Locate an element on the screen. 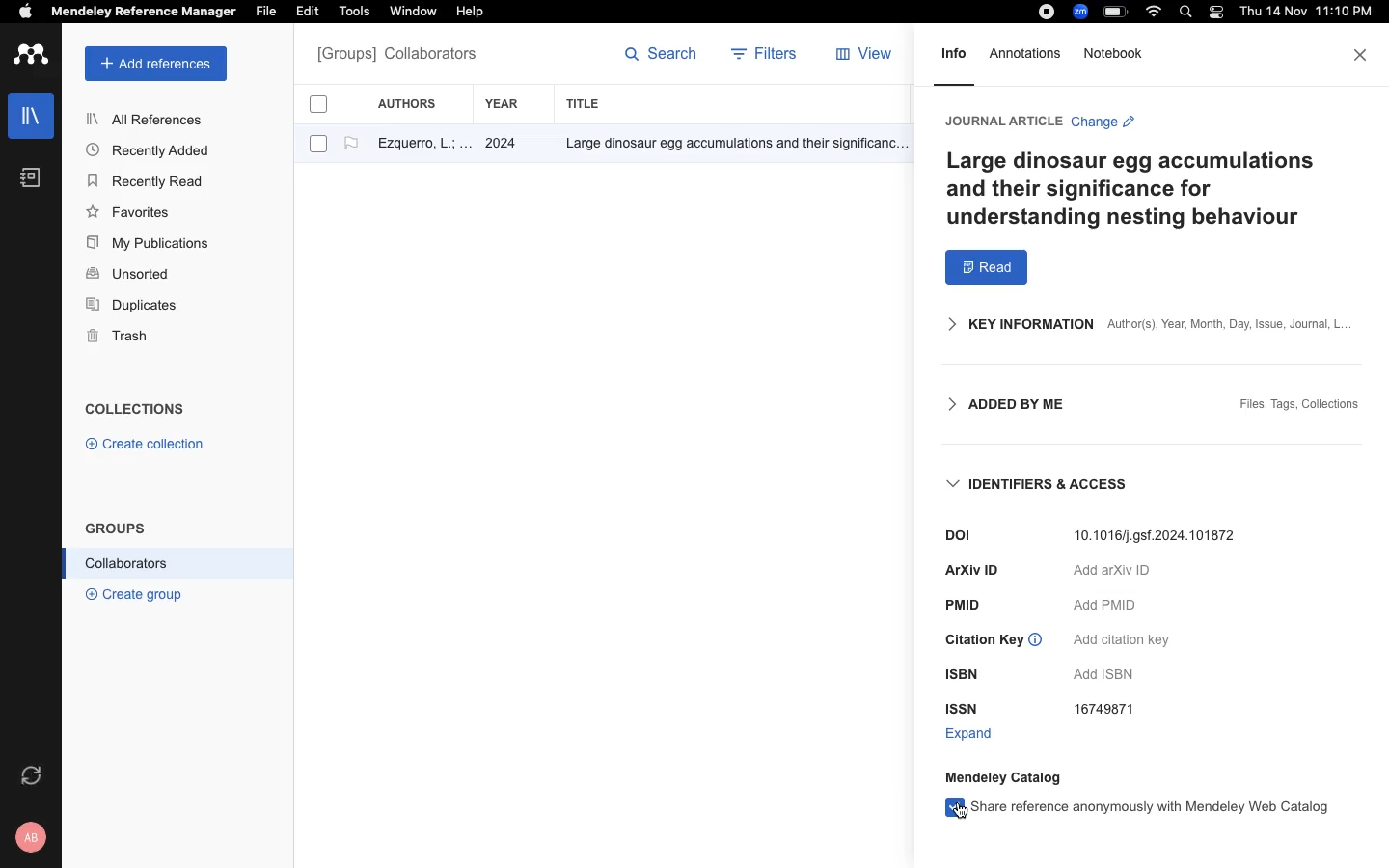  16749871 is located at coordinates (1111, 712).